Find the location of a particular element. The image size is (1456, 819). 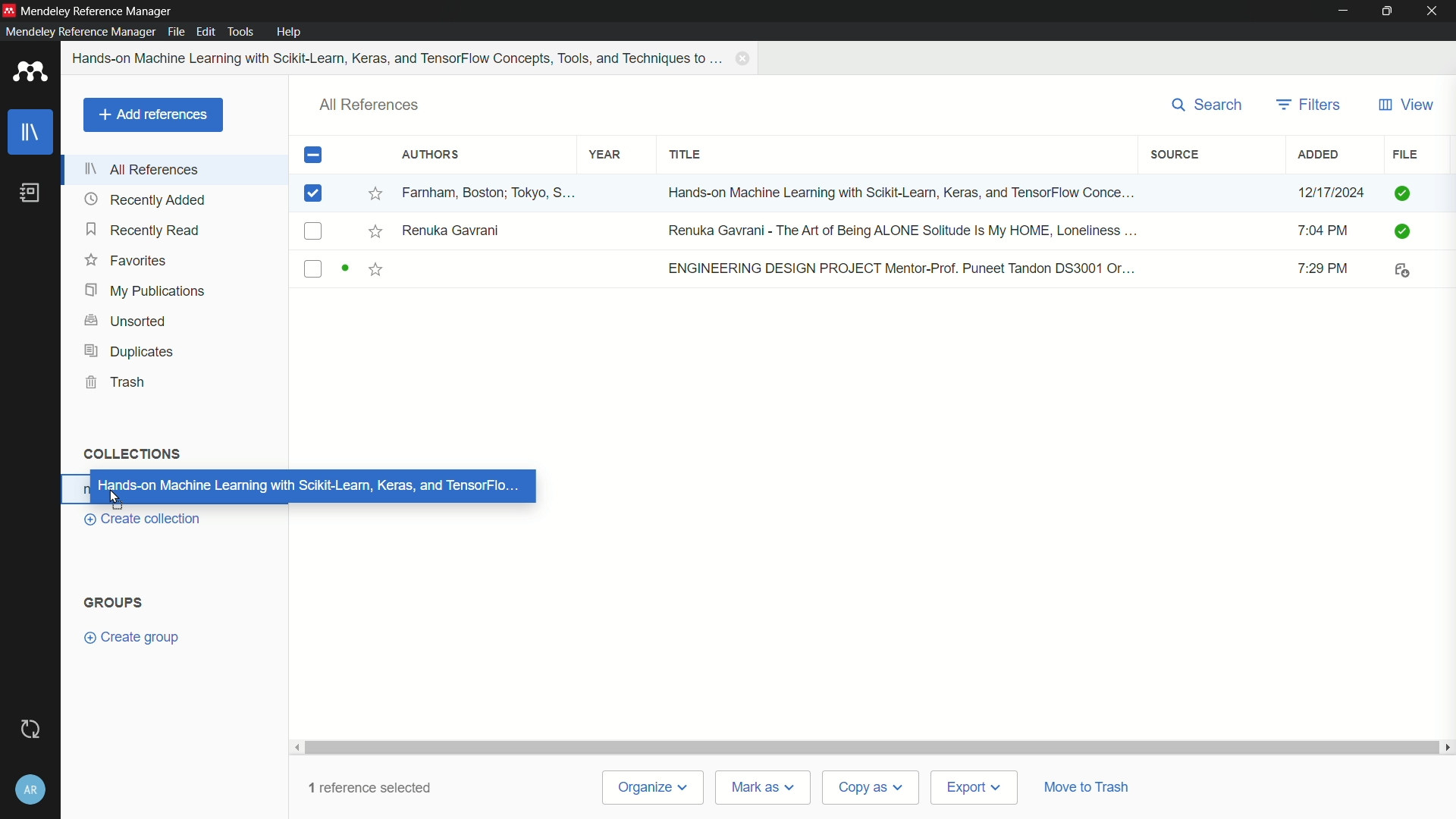

trash is located at coordinates (117, 383).